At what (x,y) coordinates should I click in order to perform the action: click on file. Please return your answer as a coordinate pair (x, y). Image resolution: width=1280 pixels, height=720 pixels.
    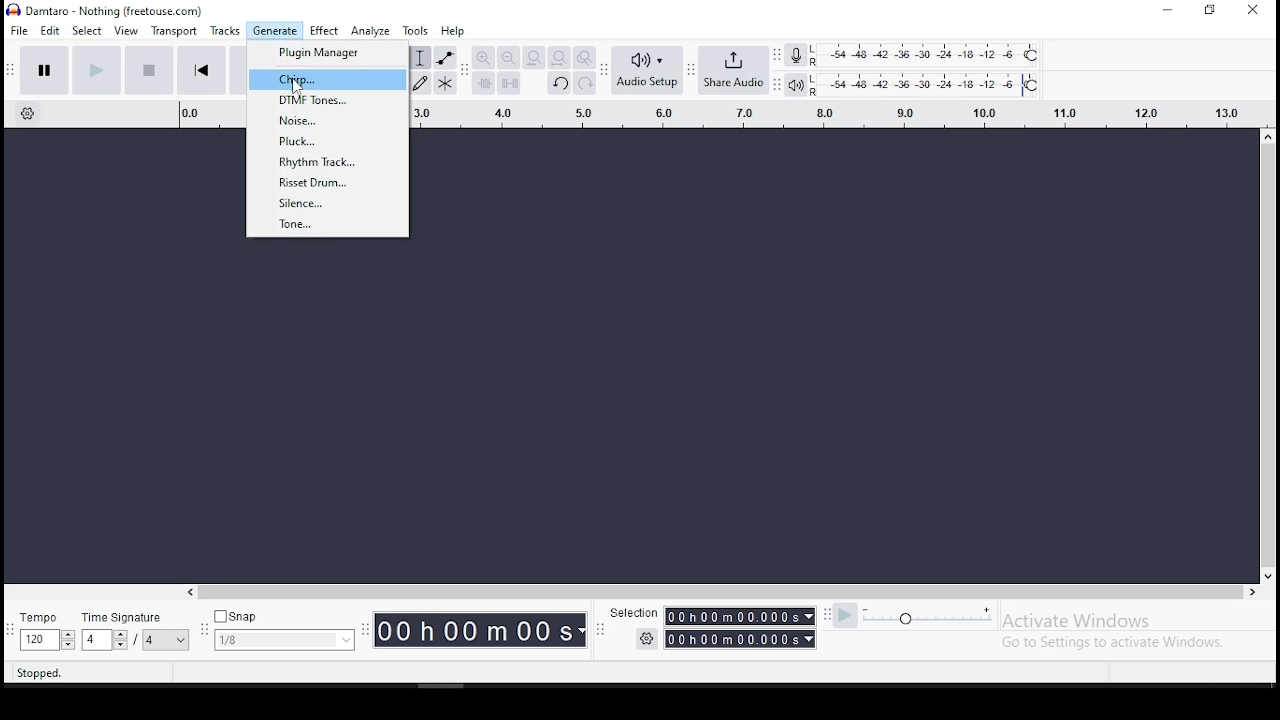
    Looking at the image, I should click on (19, 31).